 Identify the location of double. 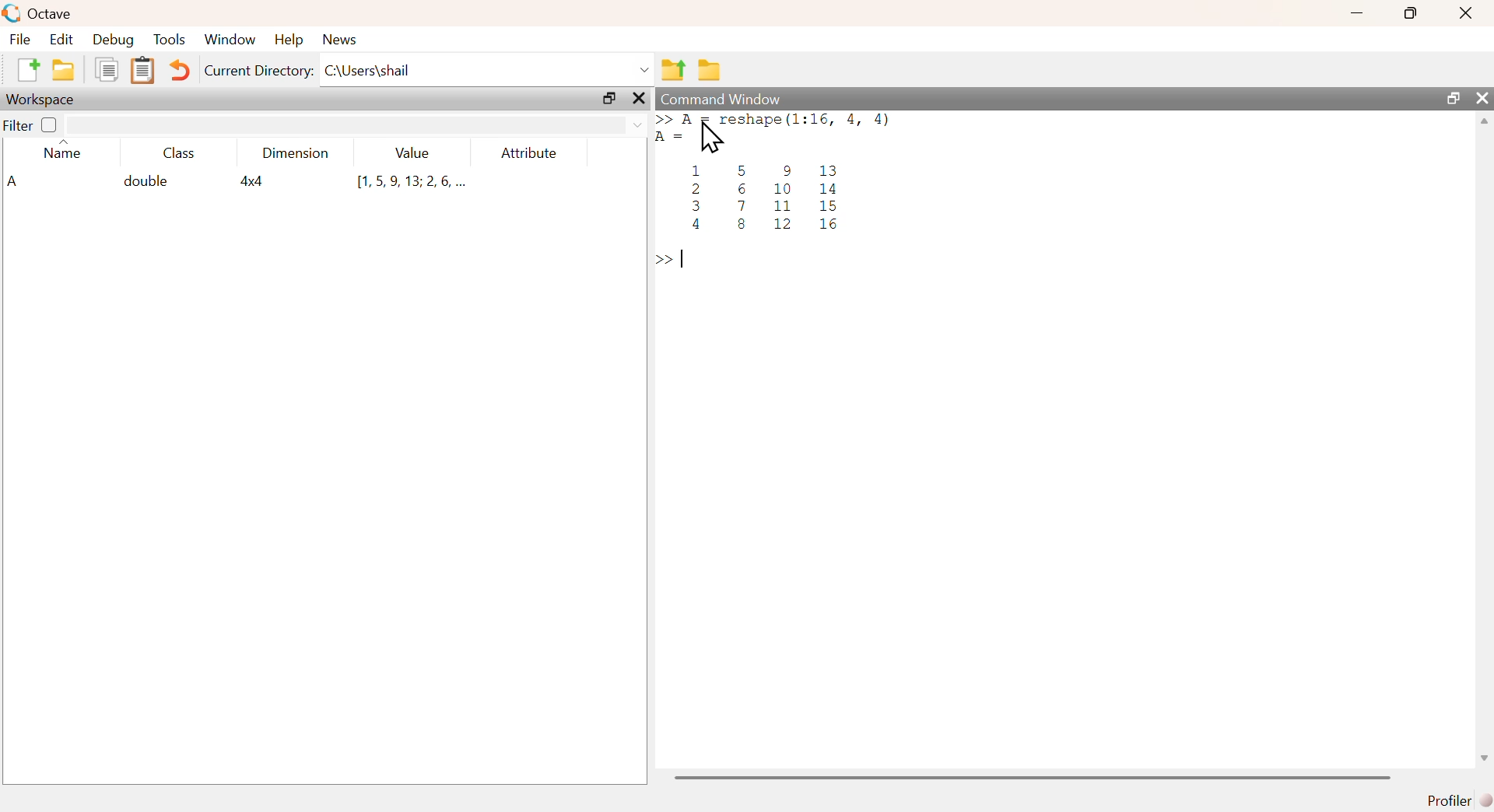
(146, 183).